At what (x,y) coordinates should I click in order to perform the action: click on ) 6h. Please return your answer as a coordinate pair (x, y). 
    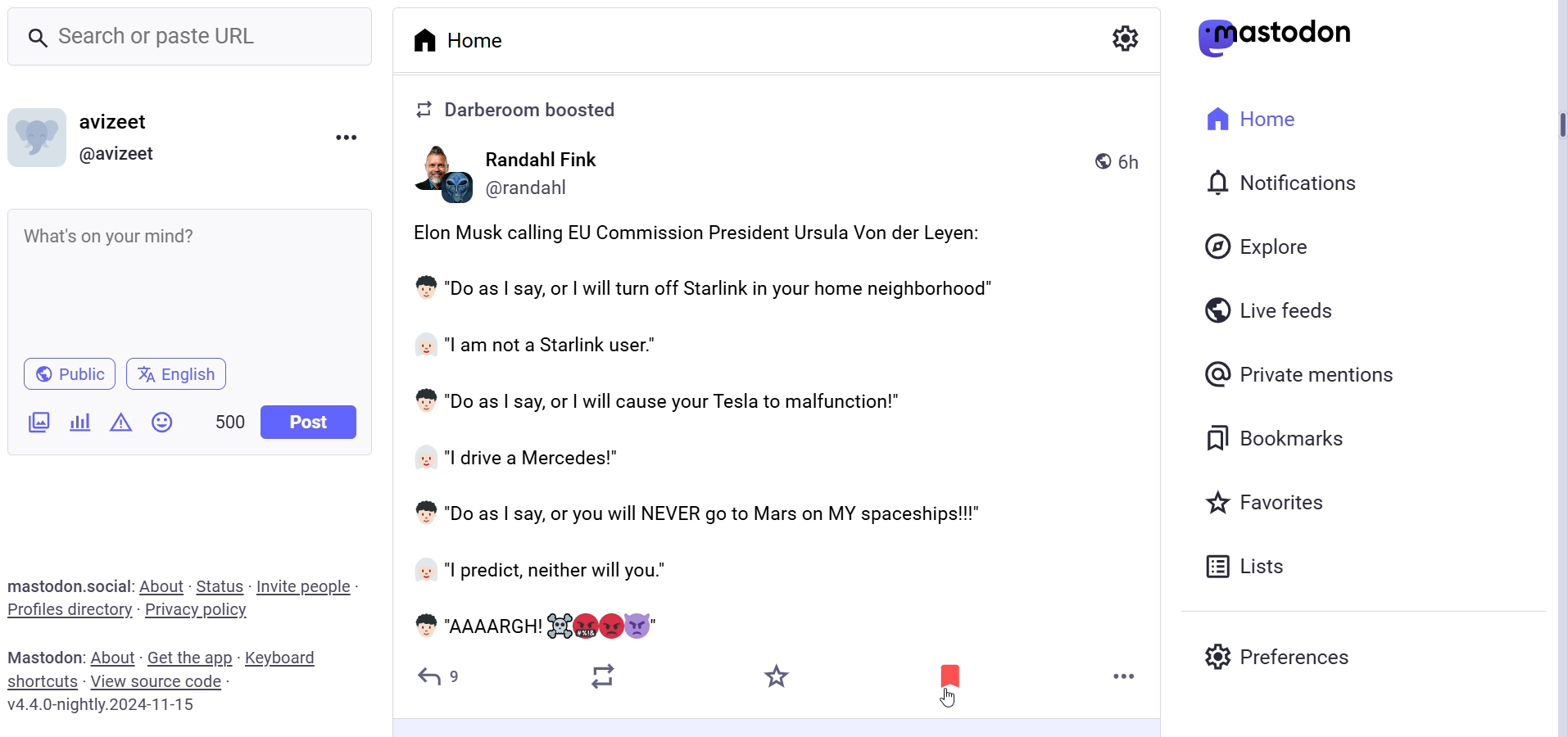
    Looking at the image, I should click on (1111, 161).